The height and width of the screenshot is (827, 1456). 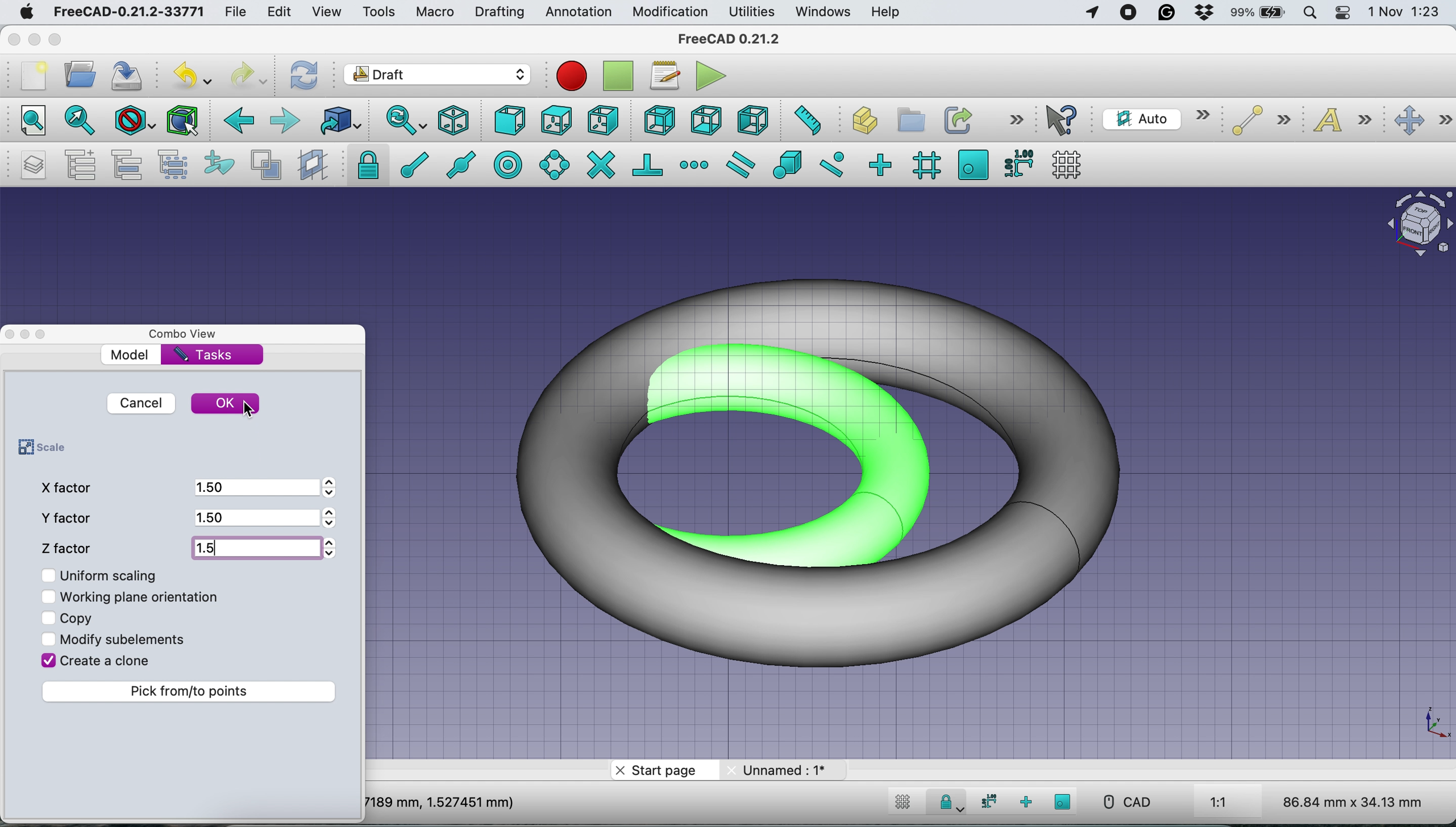 What do you see at coordinates (192, 691) in the screenshot?
I see `pick from to points` at bounding box center [192, 691].